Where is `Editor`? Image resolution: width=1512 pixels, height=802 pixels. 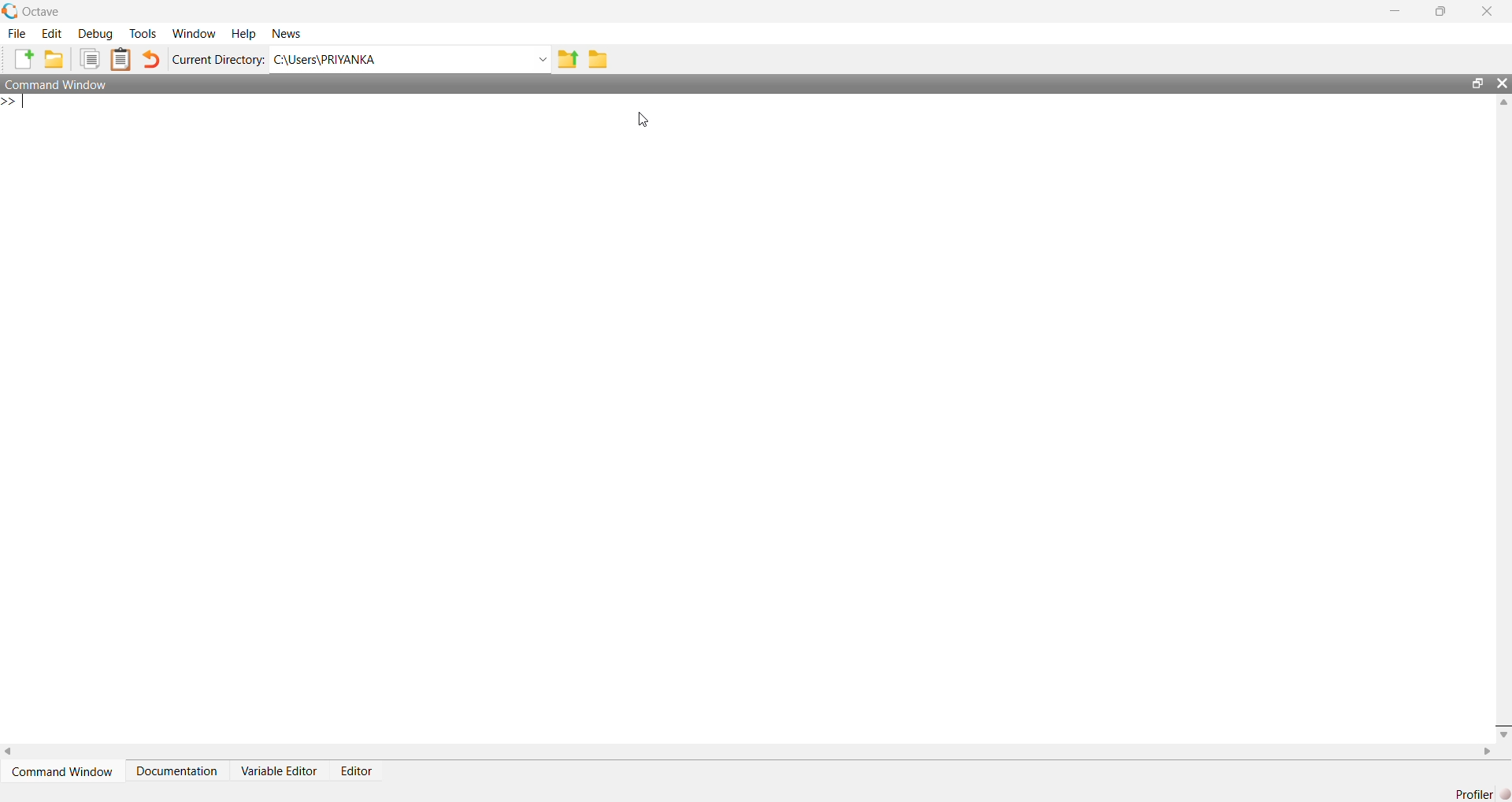
Editor is located at coordinates (358, 770).